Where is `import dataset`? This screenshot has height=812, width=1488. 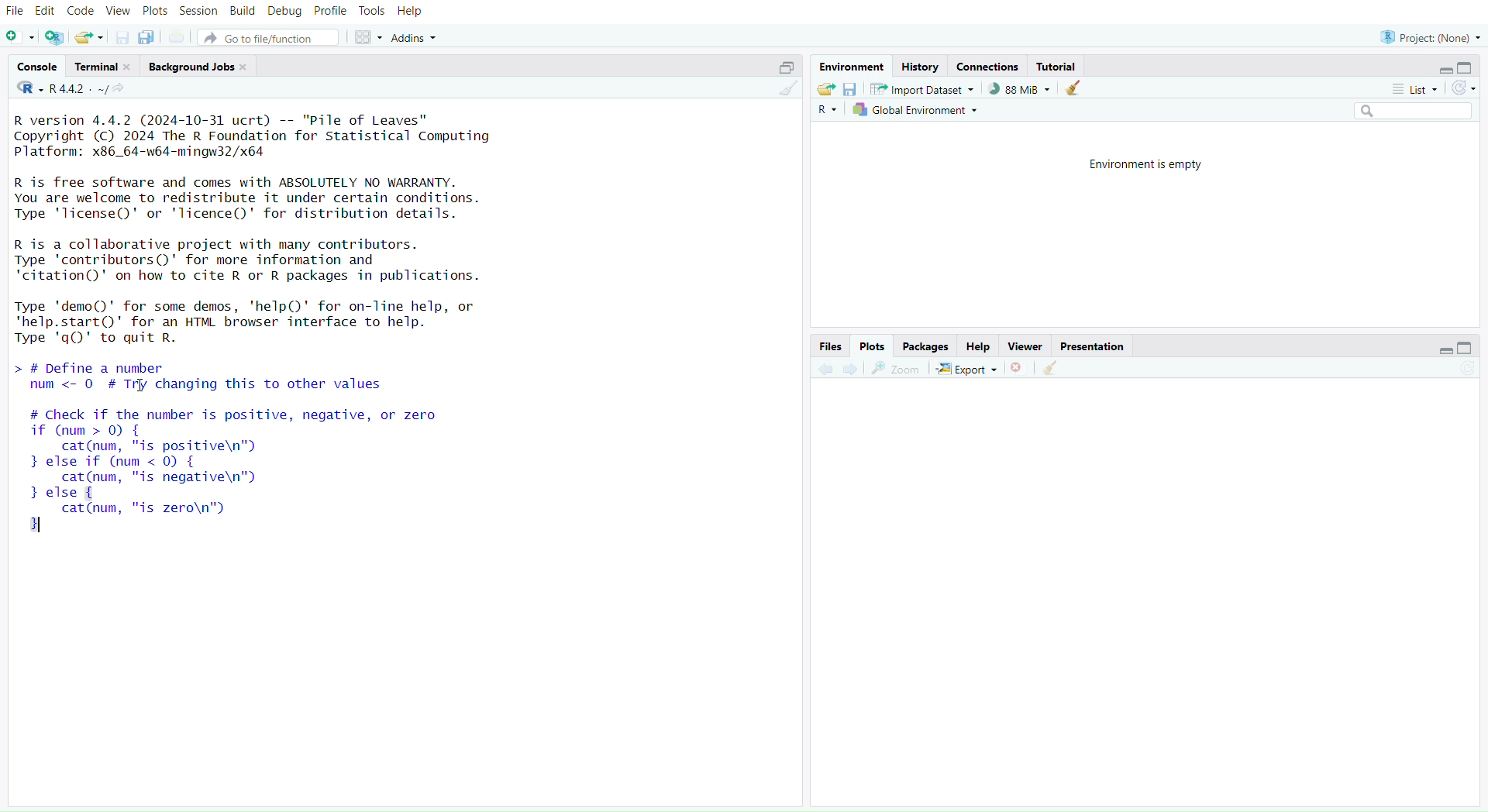
import dataset is located at coordinates (921, 89).